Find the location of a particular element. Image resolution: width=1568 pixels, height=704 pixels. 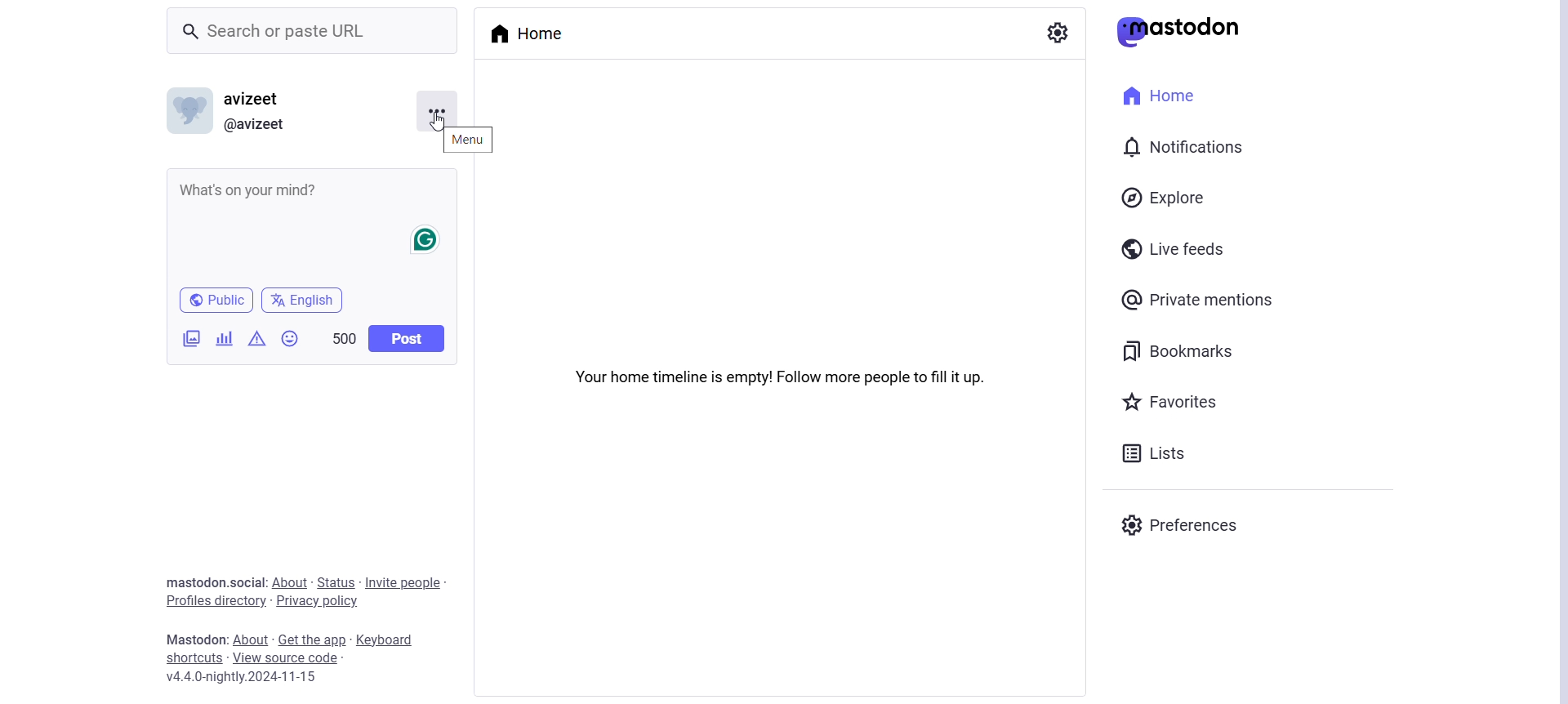

Grammarly is located at coordinates (427, 239).